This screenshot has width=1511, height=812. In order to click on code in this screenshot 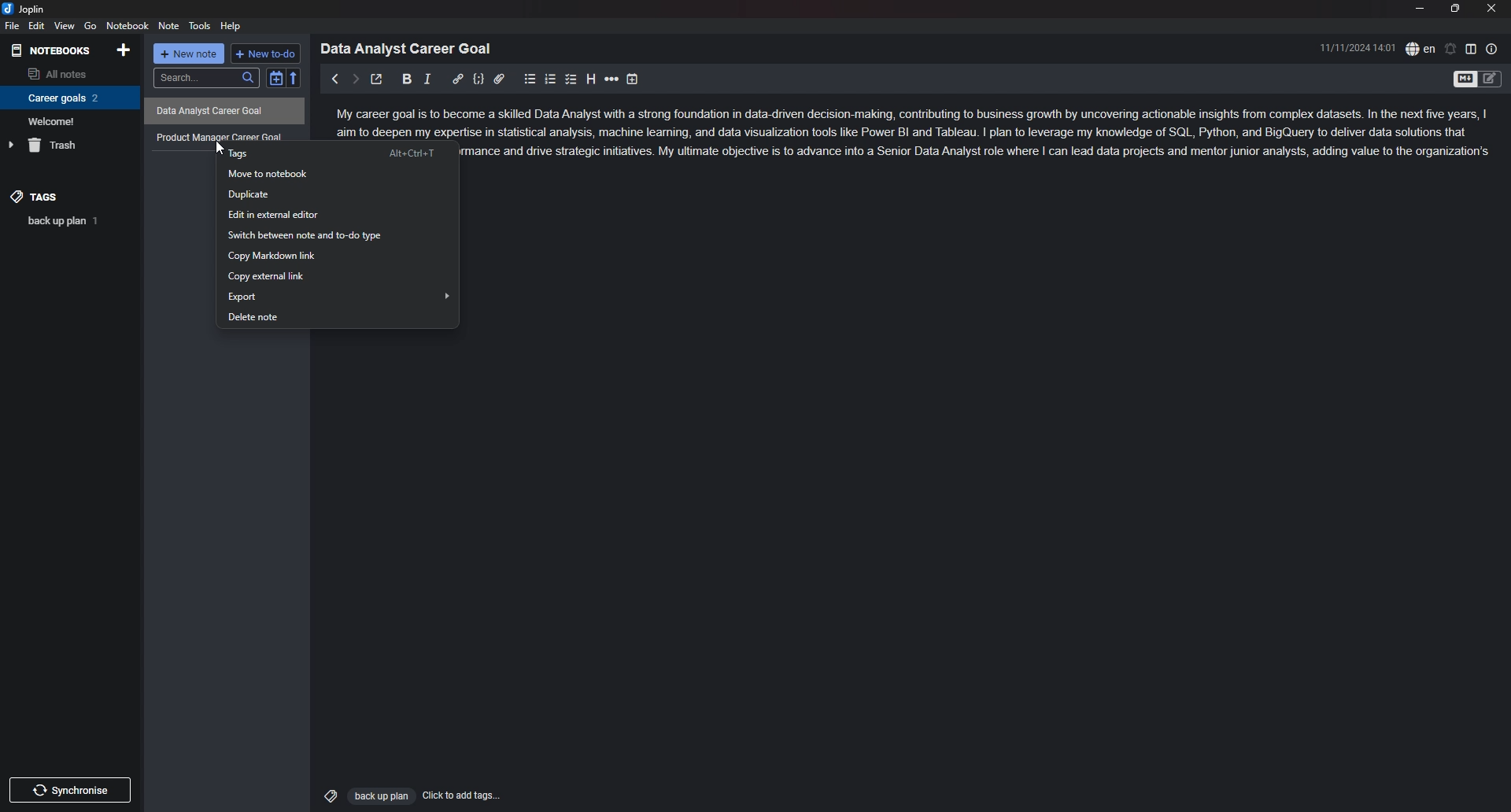, I will do `click(478, 79)`.